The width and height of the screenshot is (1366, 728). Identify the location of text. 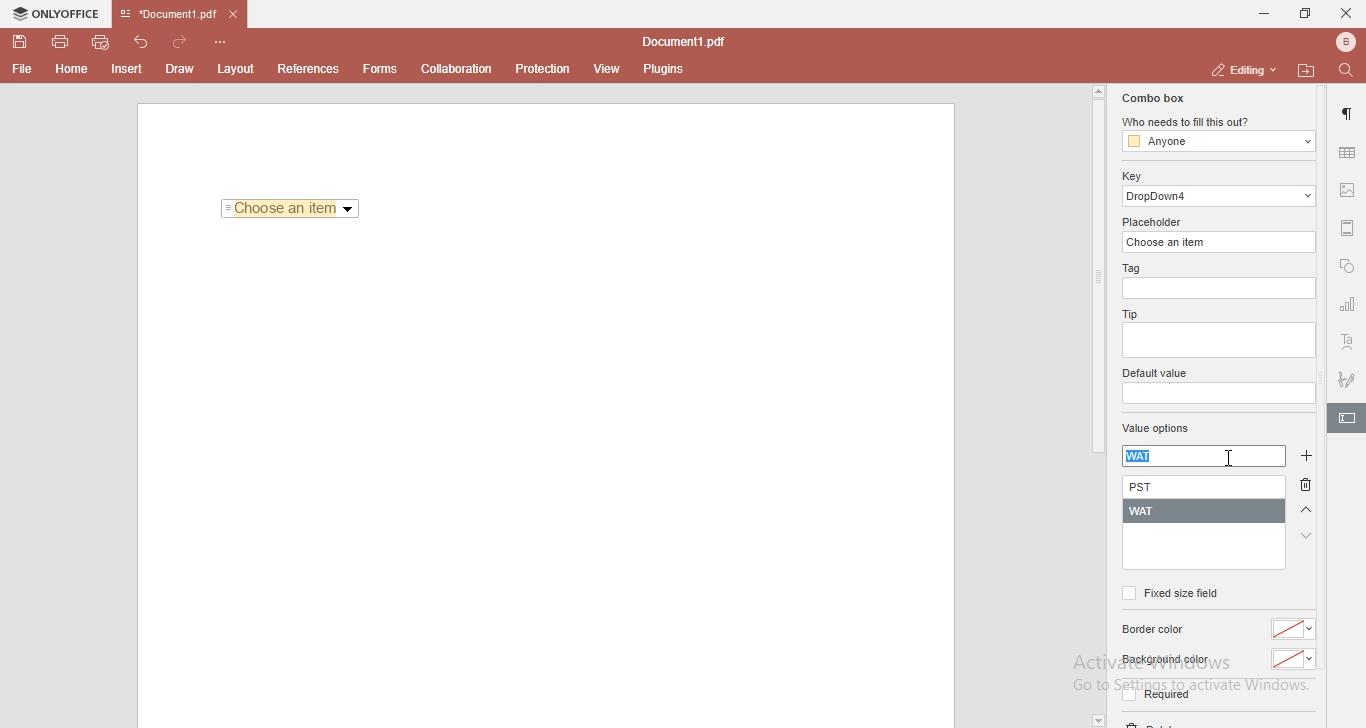
(1348, 343).